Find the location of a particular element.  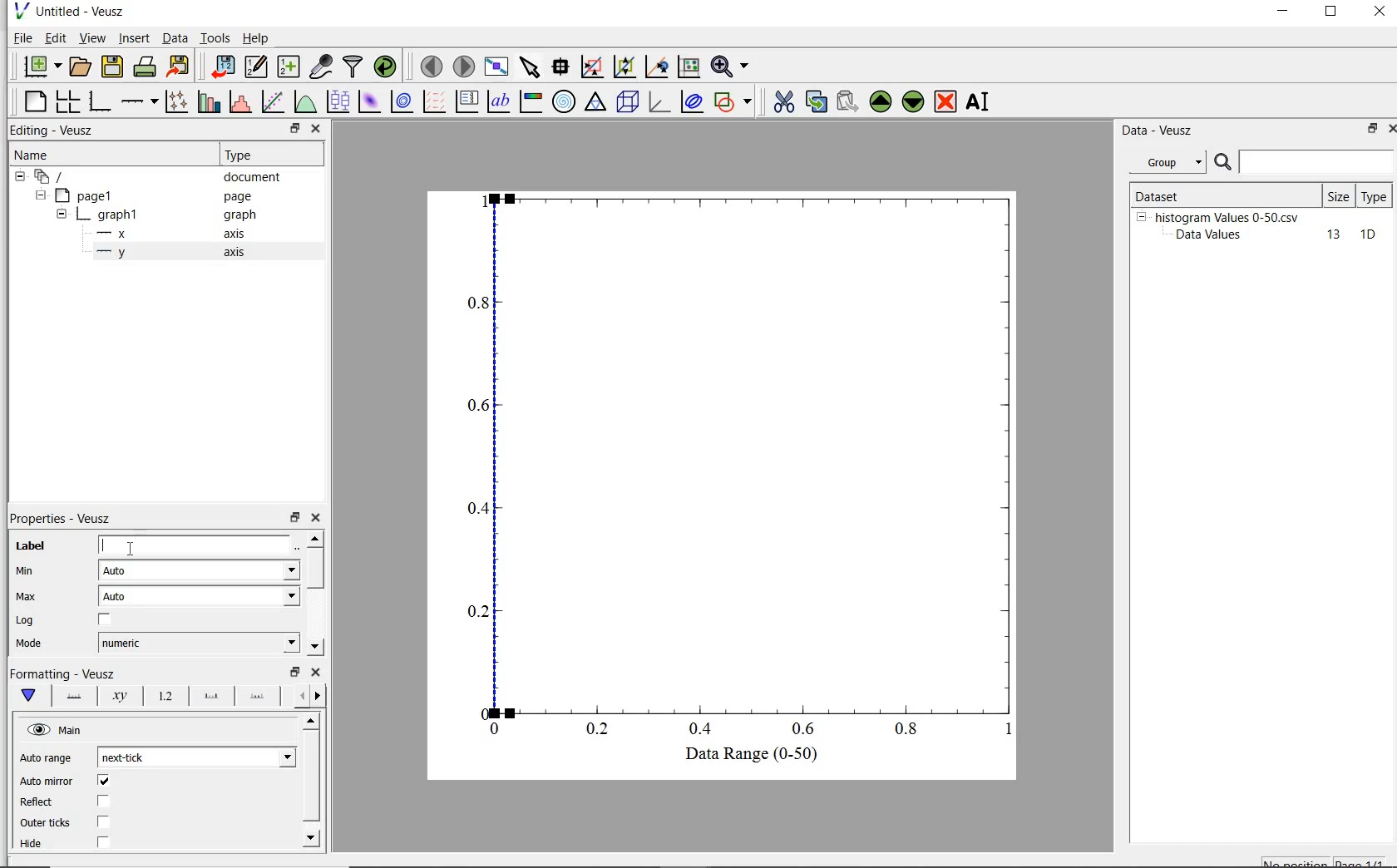

checkbox is located at coordinates (104, 822).